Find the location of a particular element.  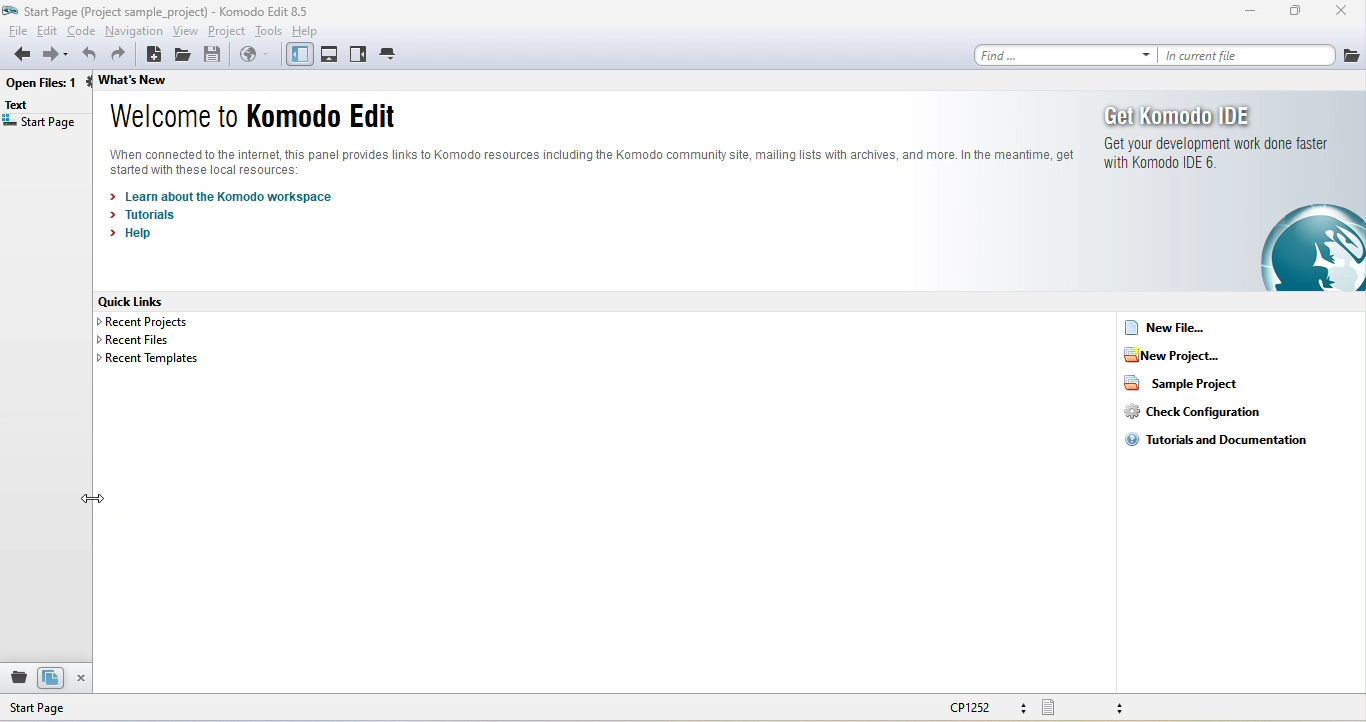

place is located at coordinates (16, 679).